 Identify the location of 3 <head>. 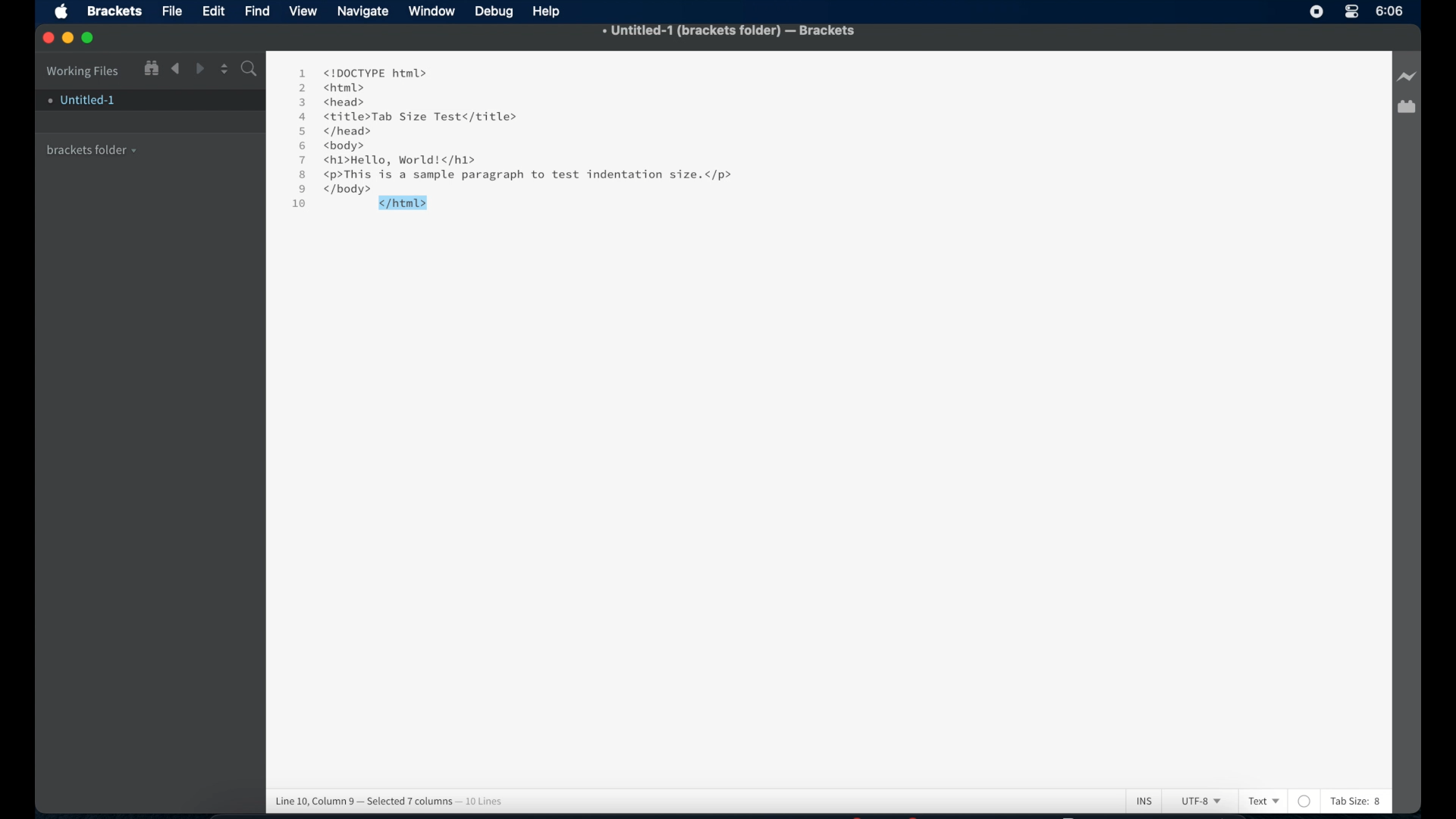
(334, 101).